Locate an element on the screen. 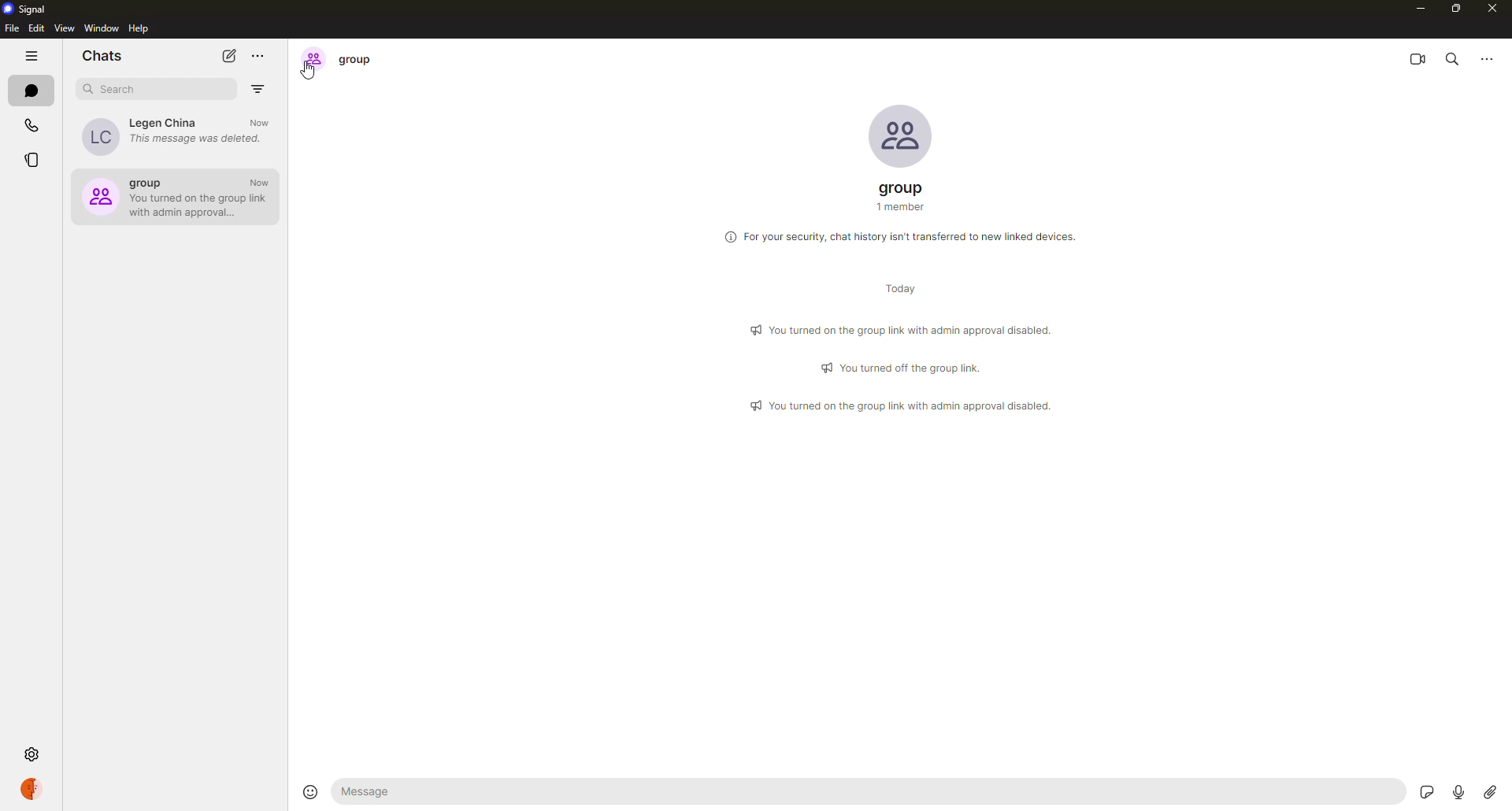 This screenshot has height=811, width=1512. info is located at coordinates (905, 235).